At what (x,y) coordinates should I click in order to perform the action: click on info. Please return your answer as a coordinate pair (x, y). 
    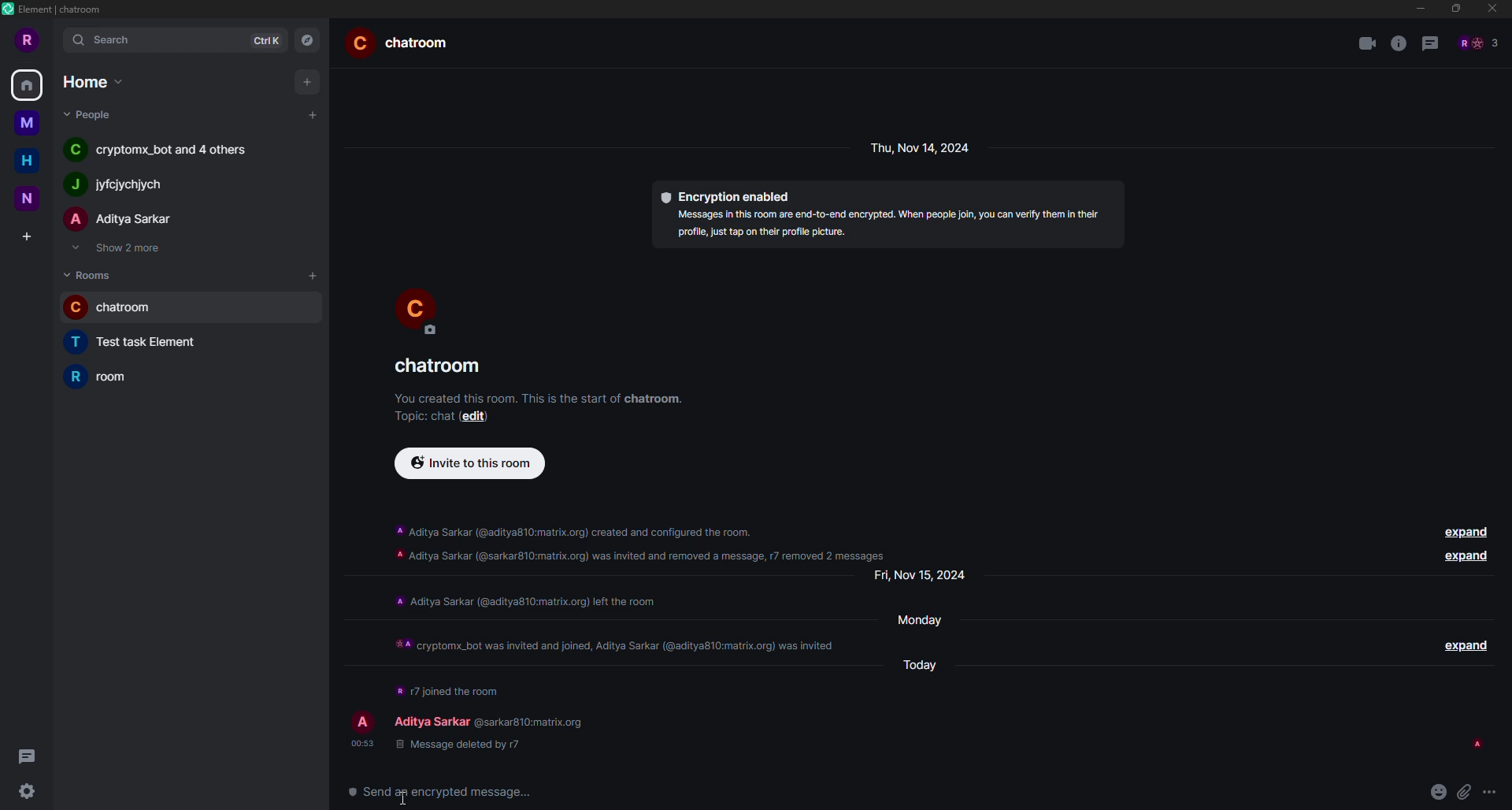
    Looking at the image, I should click on (524, 600).